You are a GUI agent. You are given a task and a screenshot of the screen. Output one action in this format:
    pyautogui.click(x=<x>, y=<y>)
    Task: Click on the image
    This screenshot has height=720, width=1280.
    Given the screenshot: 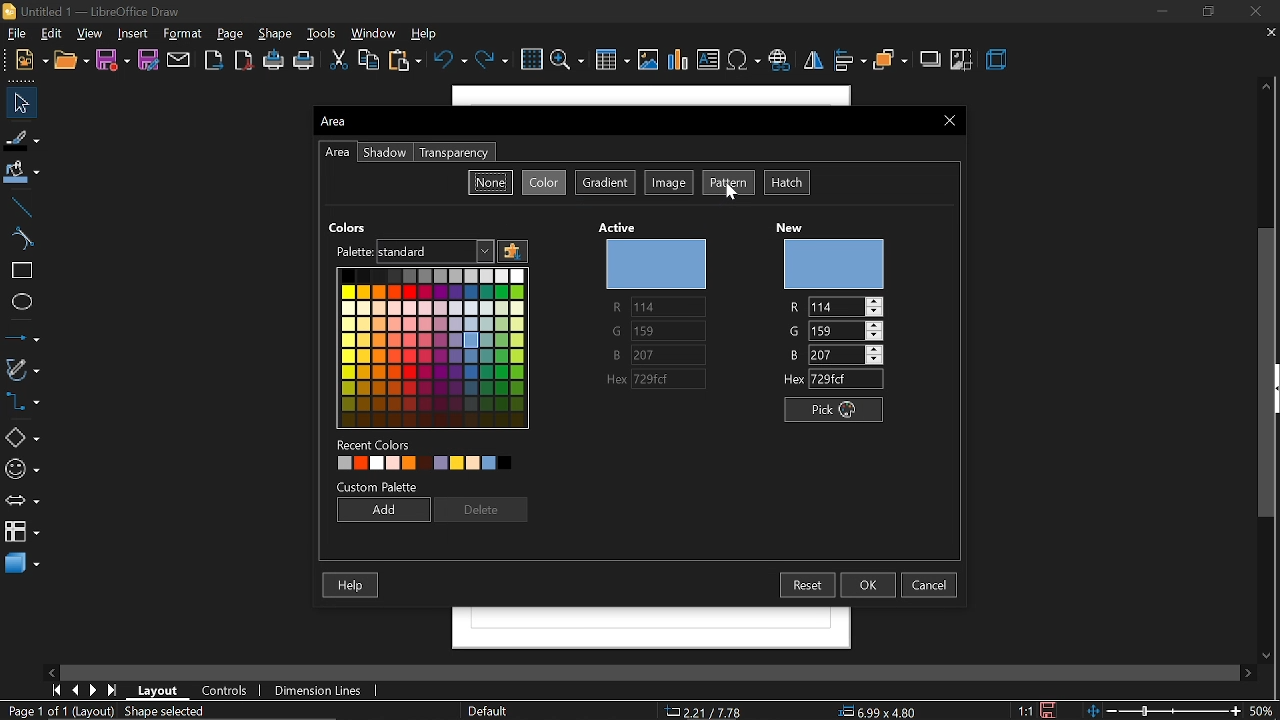 What is the action you would take?
    pyautogui.click(x=668, y=184)
    